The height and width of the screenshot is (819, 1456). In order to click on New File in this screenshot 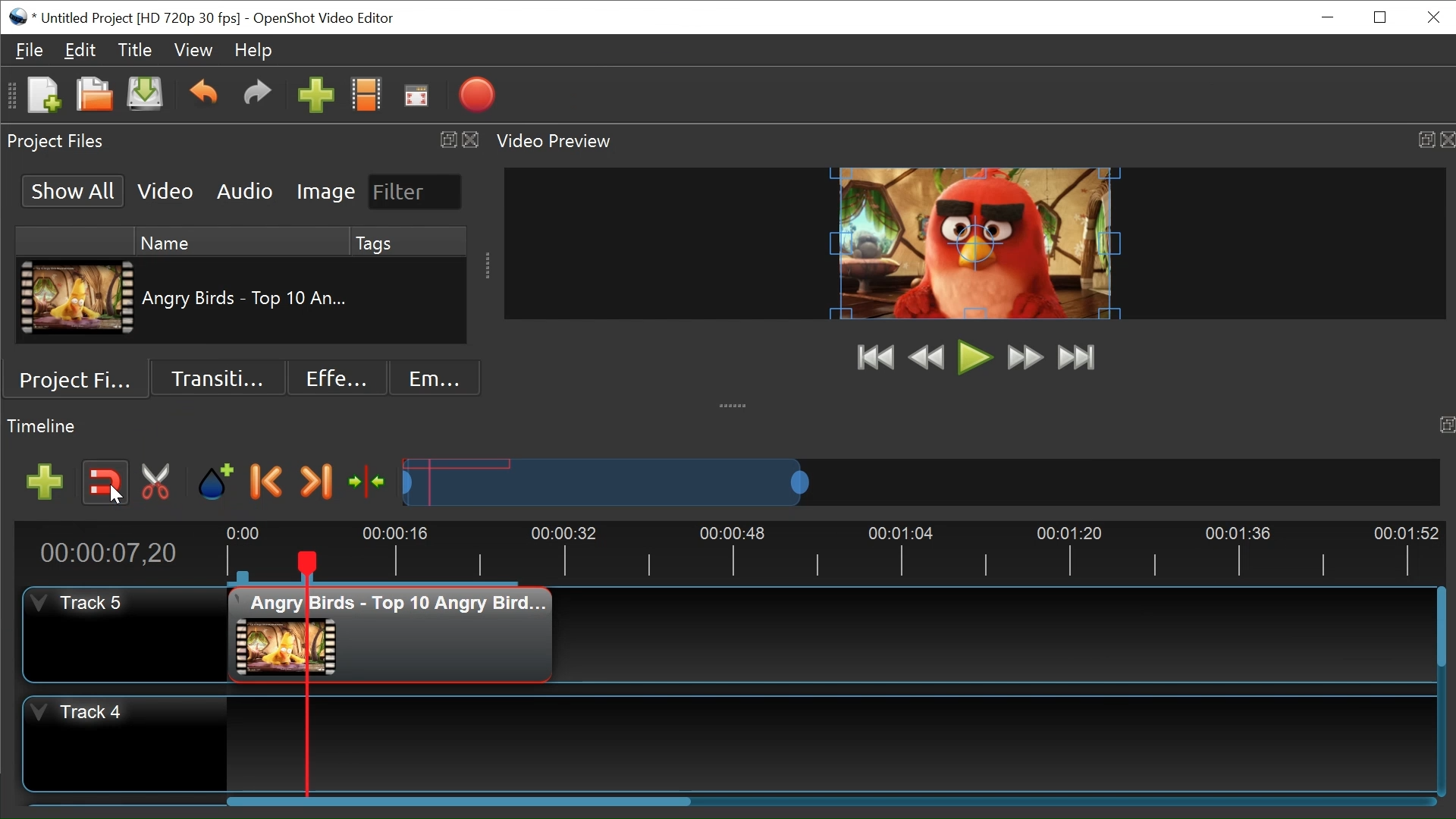, I will do `click(147, 97)`.